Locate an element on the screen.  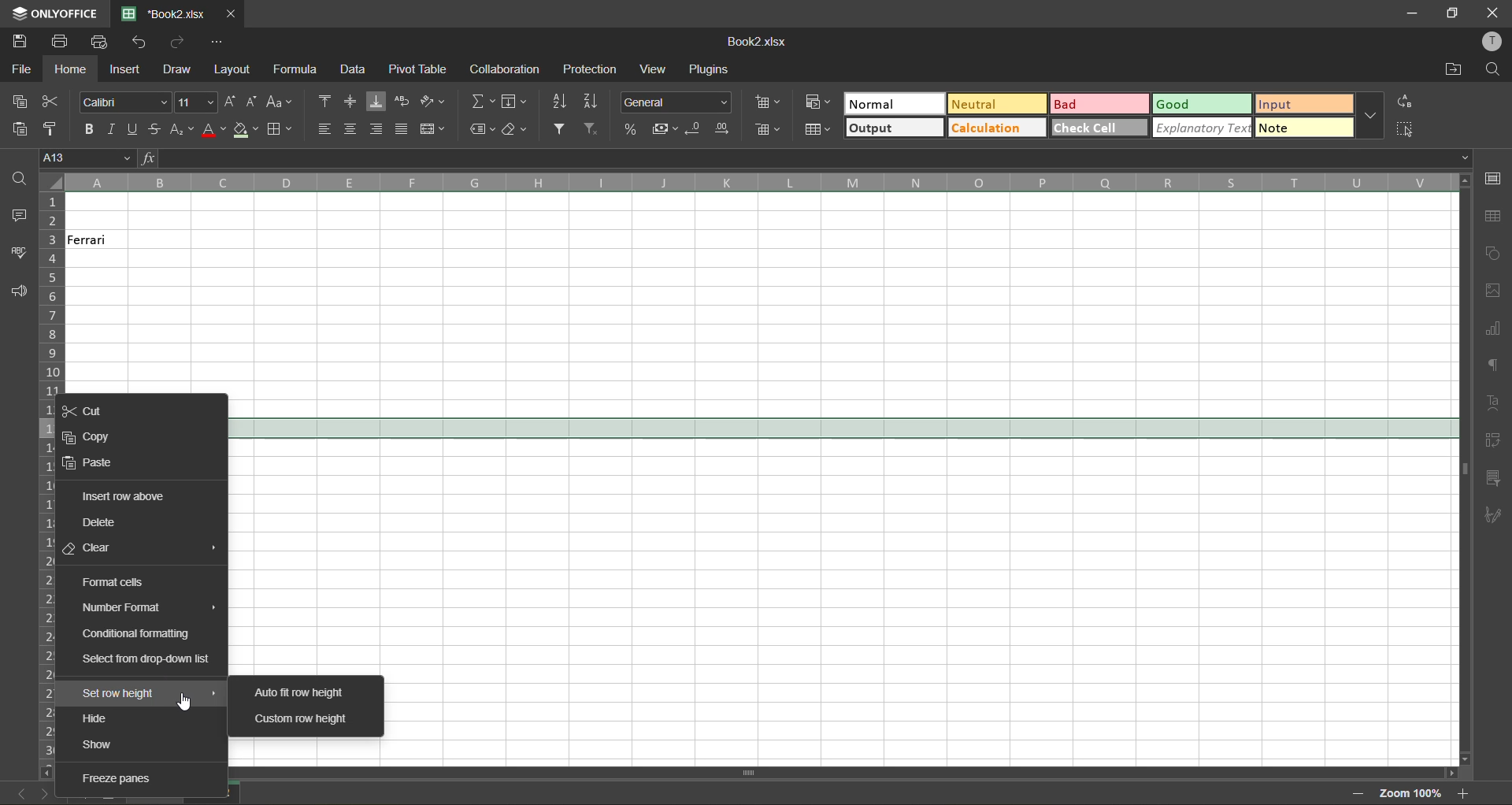
Ferrari is located at coordinates (99, 240).